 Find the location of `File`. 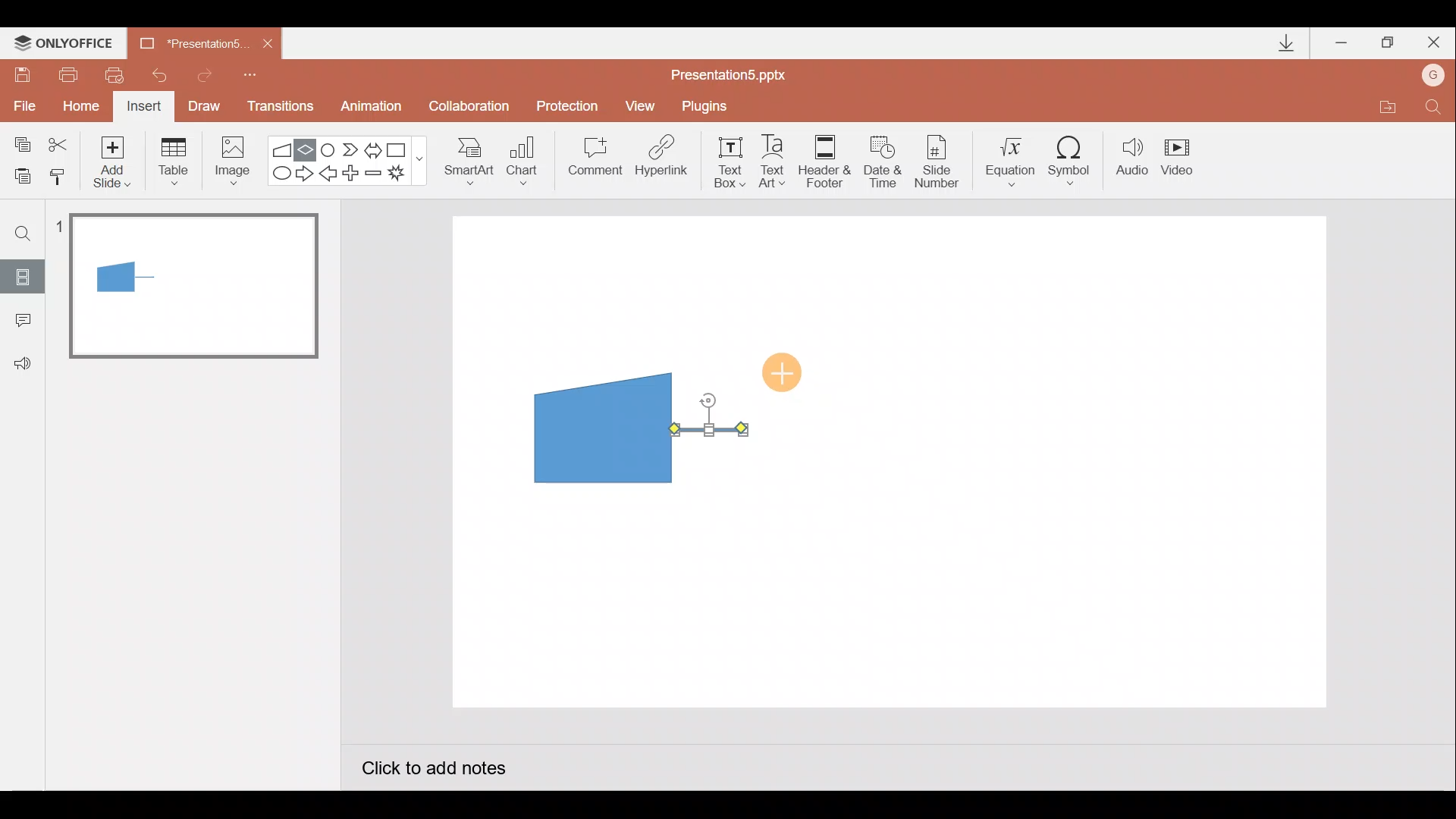

File is located at coordinates (21, 102).